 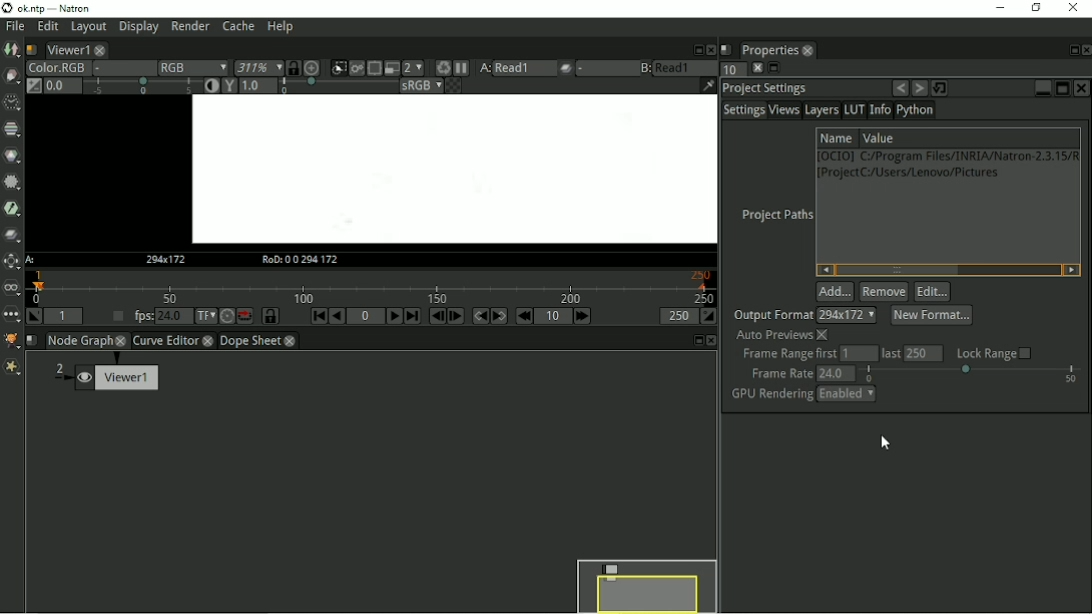 I want to click on Minimize, so click(x=998, y=7).